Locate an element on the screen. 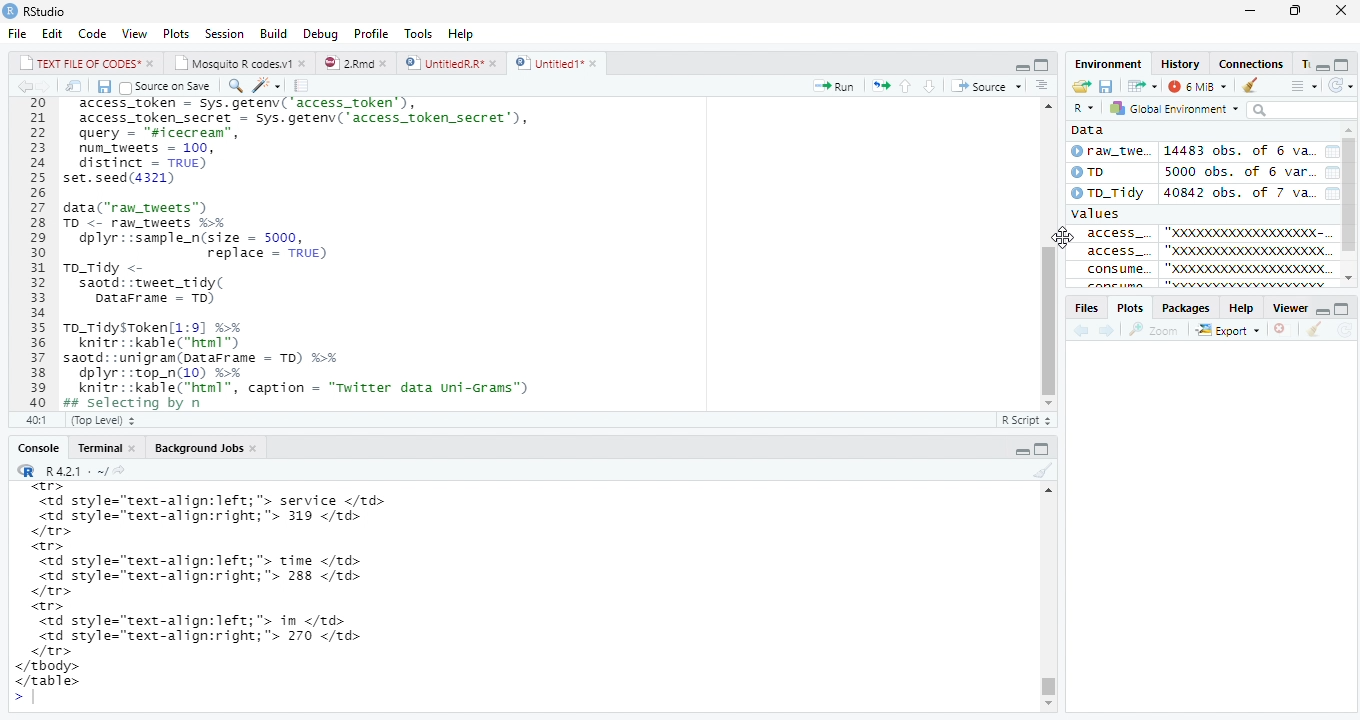 This screenshot has width=1360, height=720. D | UntitledR.R* is located at coordinates (448, 63).